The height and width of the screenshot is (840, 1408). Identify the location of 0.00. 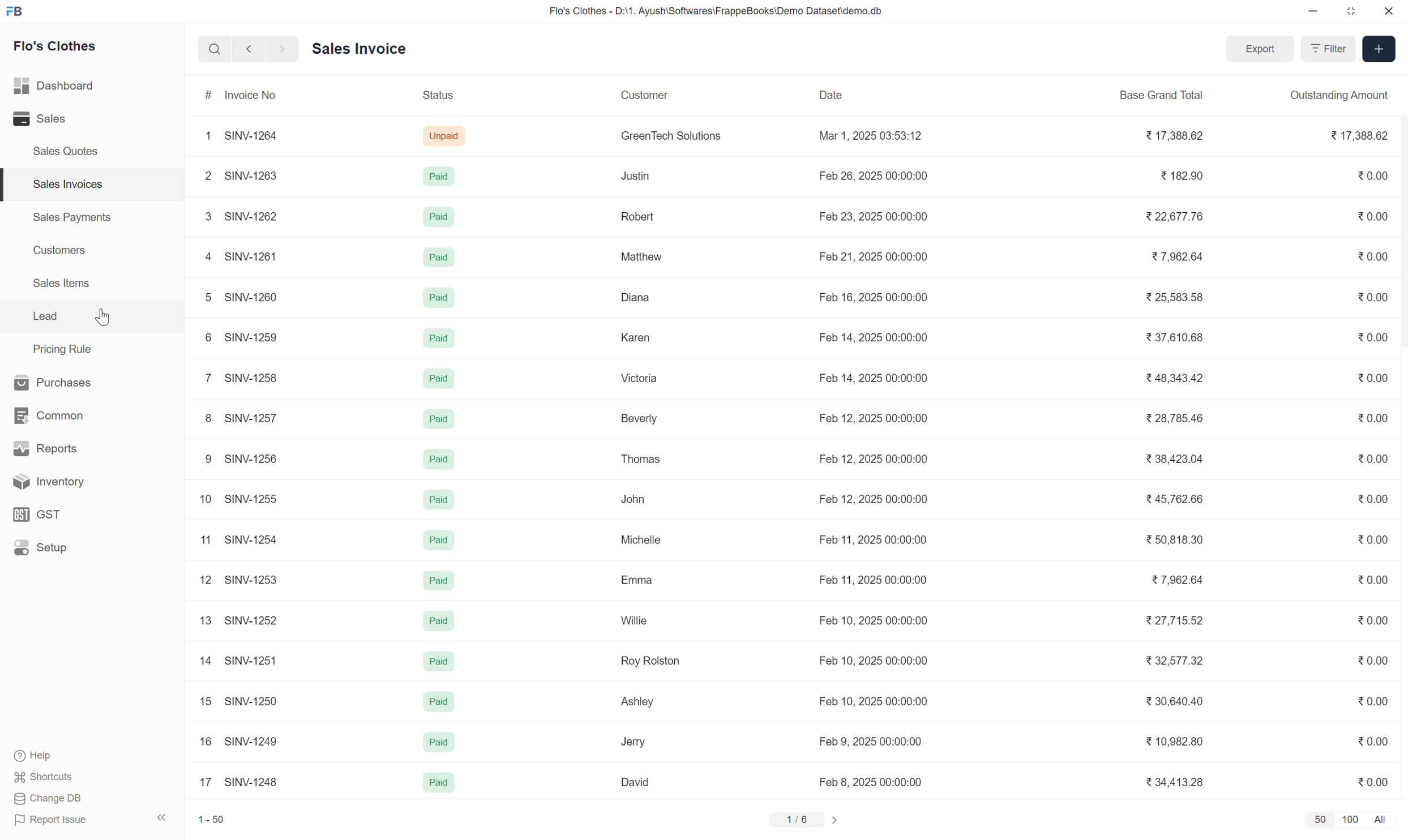
(1376, 217).